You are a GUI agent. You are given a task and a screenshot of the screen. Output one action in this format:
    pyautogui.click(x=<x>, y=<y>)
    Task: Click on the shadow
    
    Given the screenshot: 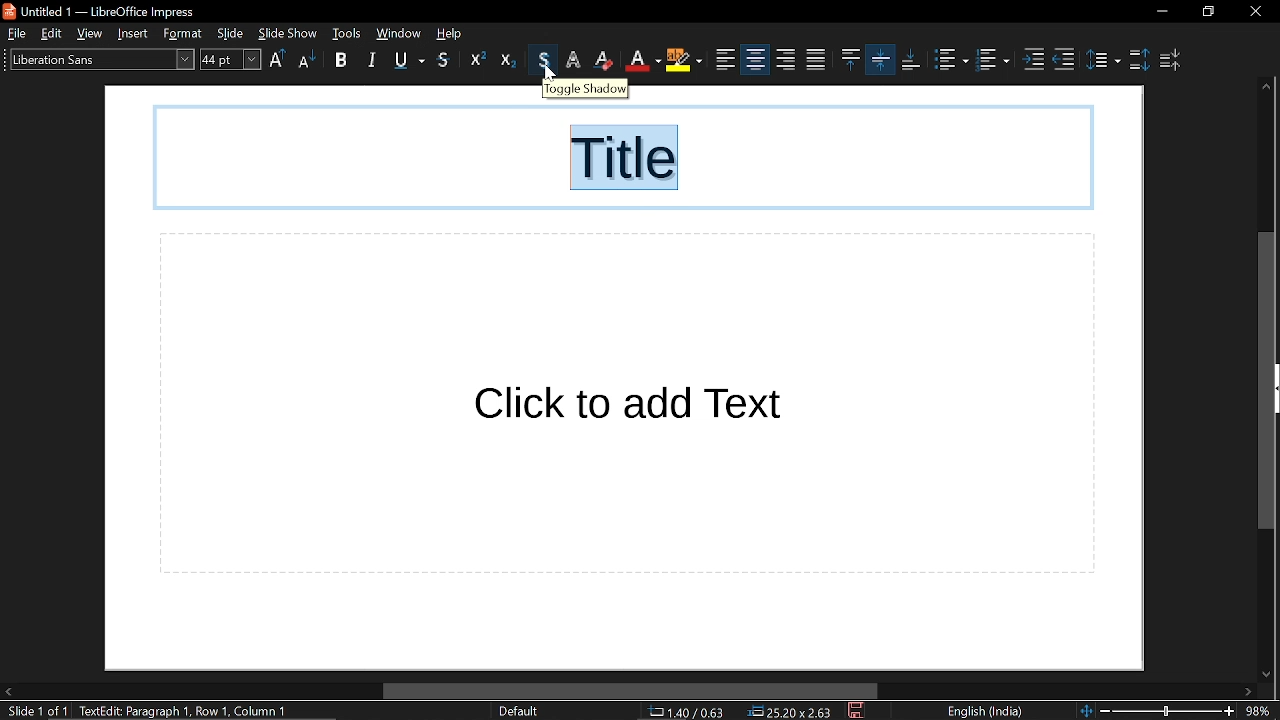 What is the action you would take?
    pyautogui.click(x=445, y=61)
    